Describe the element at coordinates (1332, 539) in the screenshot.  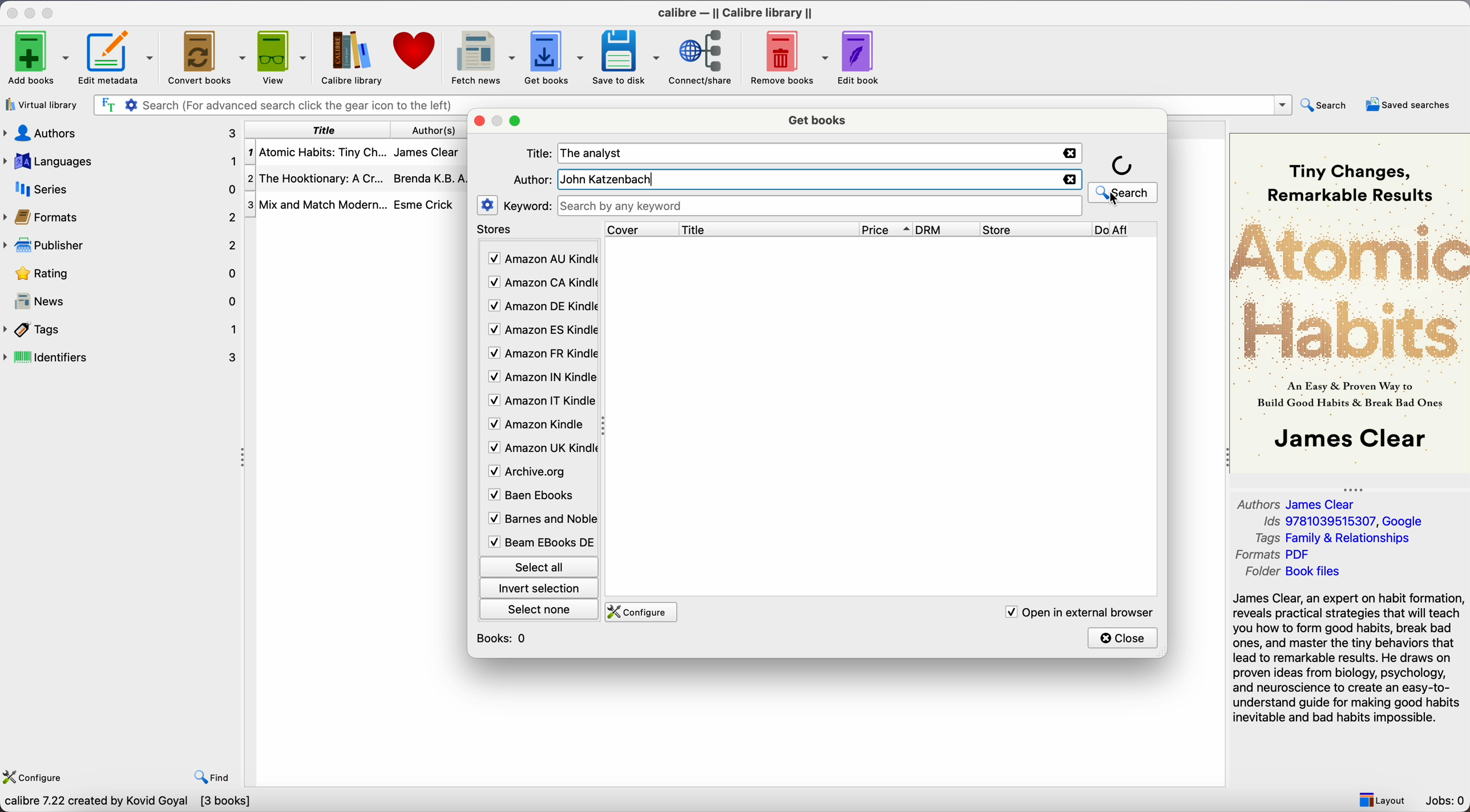
I see `Tags Family & Relationships` at that location.